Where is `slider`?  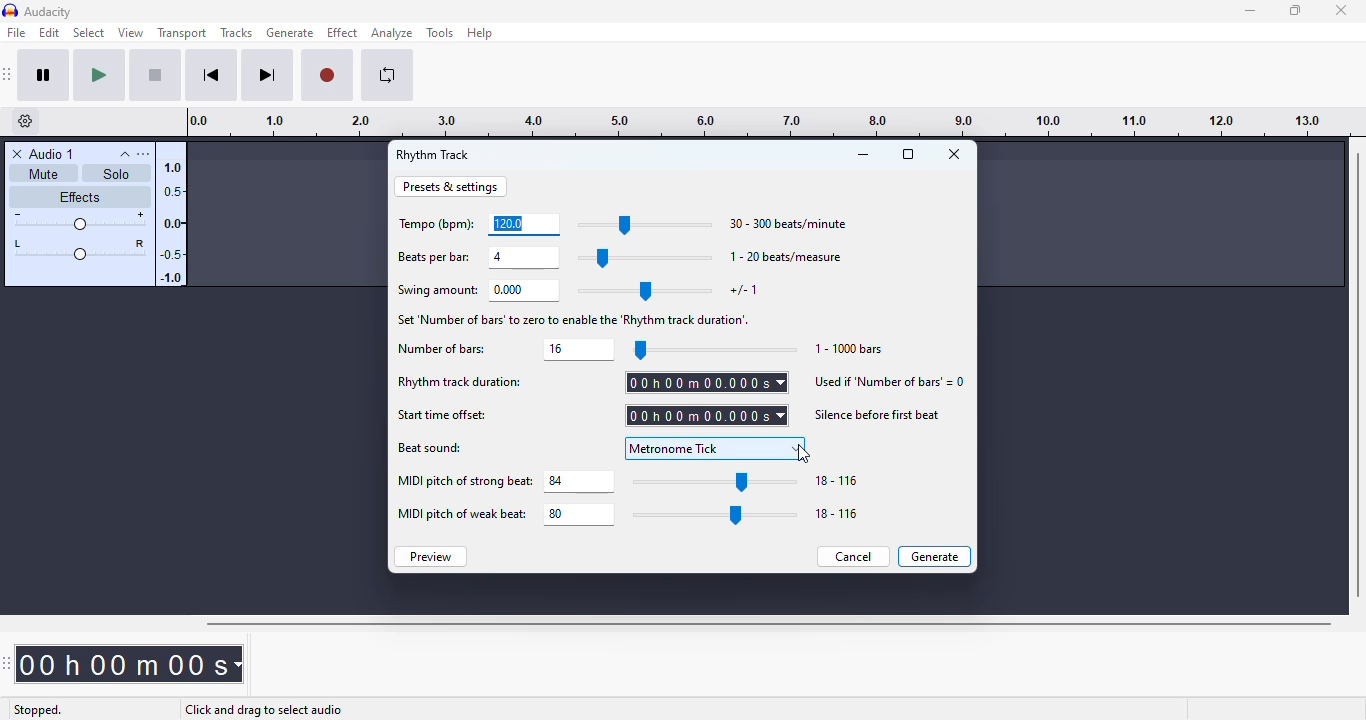 slider is located at coordinates (645, 258).